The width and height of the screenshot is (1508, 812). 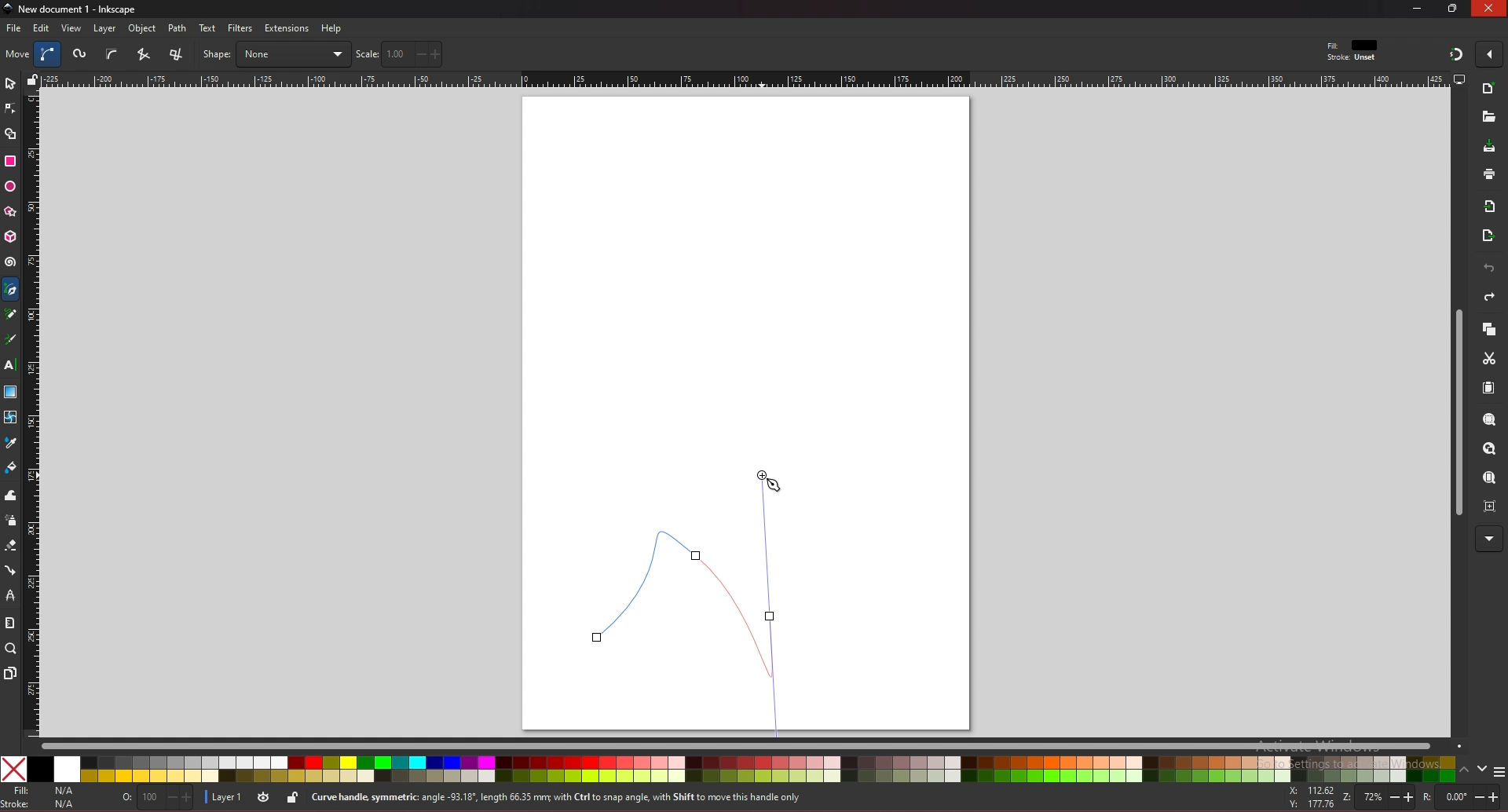 I want to click on spray, so click(x=10, y=521).